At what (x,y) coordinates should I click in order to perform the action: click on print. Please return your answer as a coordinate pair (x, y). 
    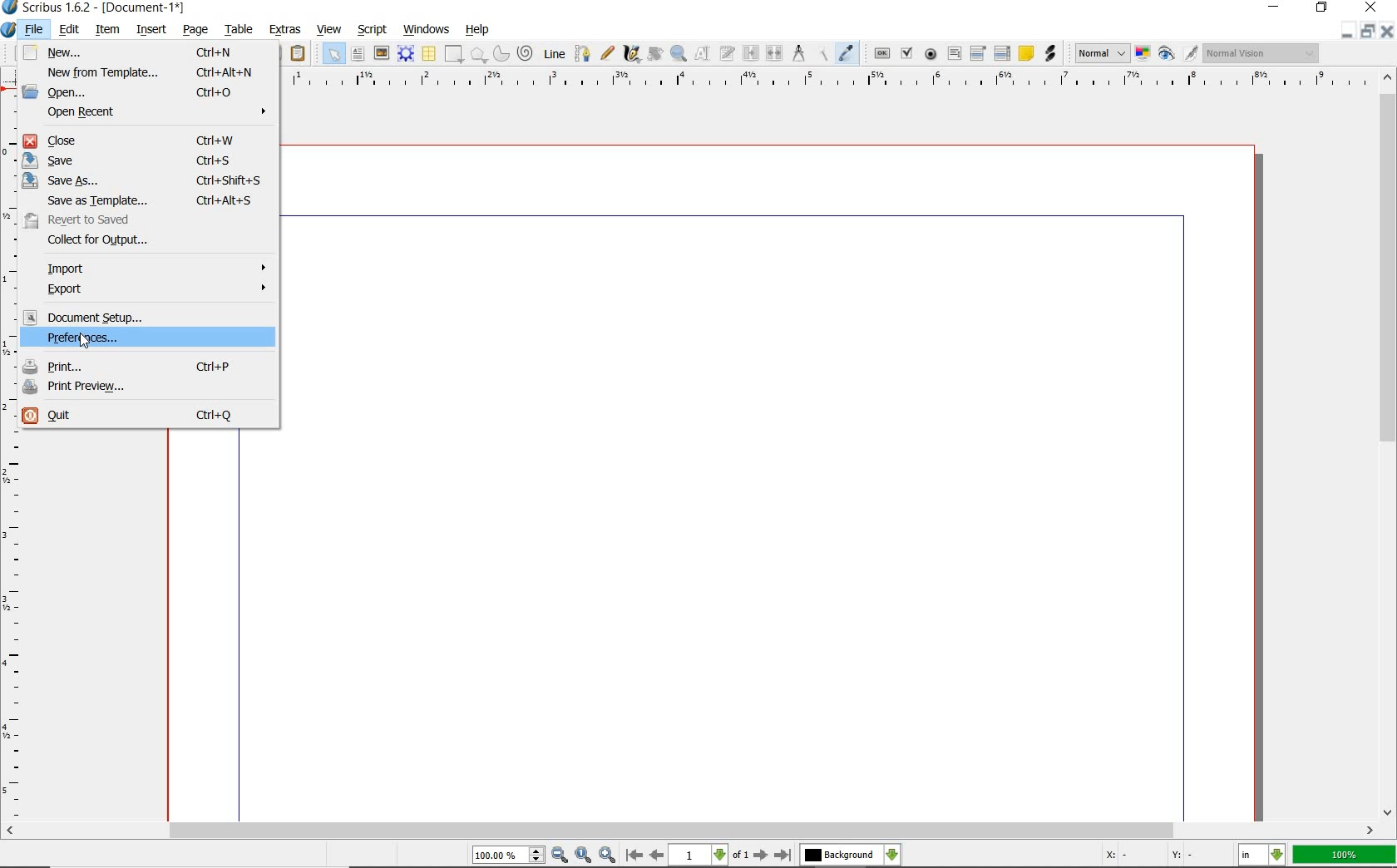
    Looking at the image, I should click on (147, 365).